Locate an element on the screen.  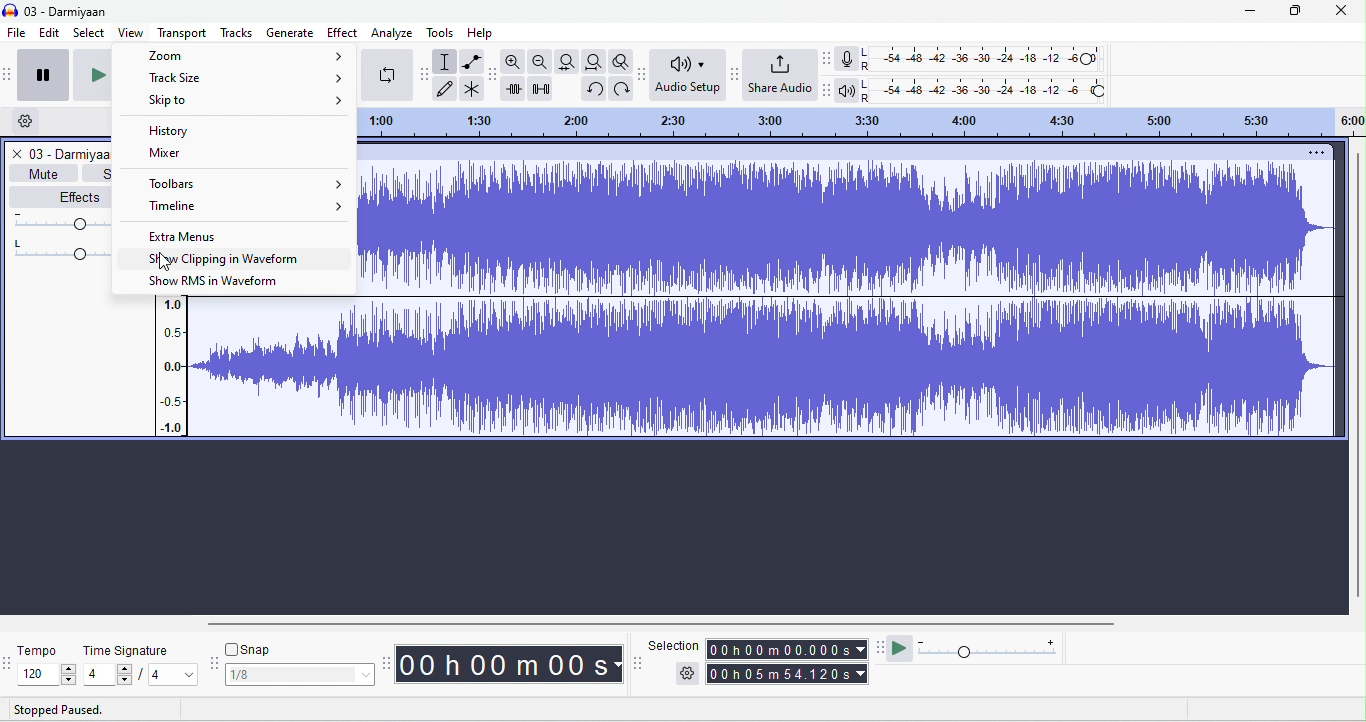
play is located at coordinates (90, 74).